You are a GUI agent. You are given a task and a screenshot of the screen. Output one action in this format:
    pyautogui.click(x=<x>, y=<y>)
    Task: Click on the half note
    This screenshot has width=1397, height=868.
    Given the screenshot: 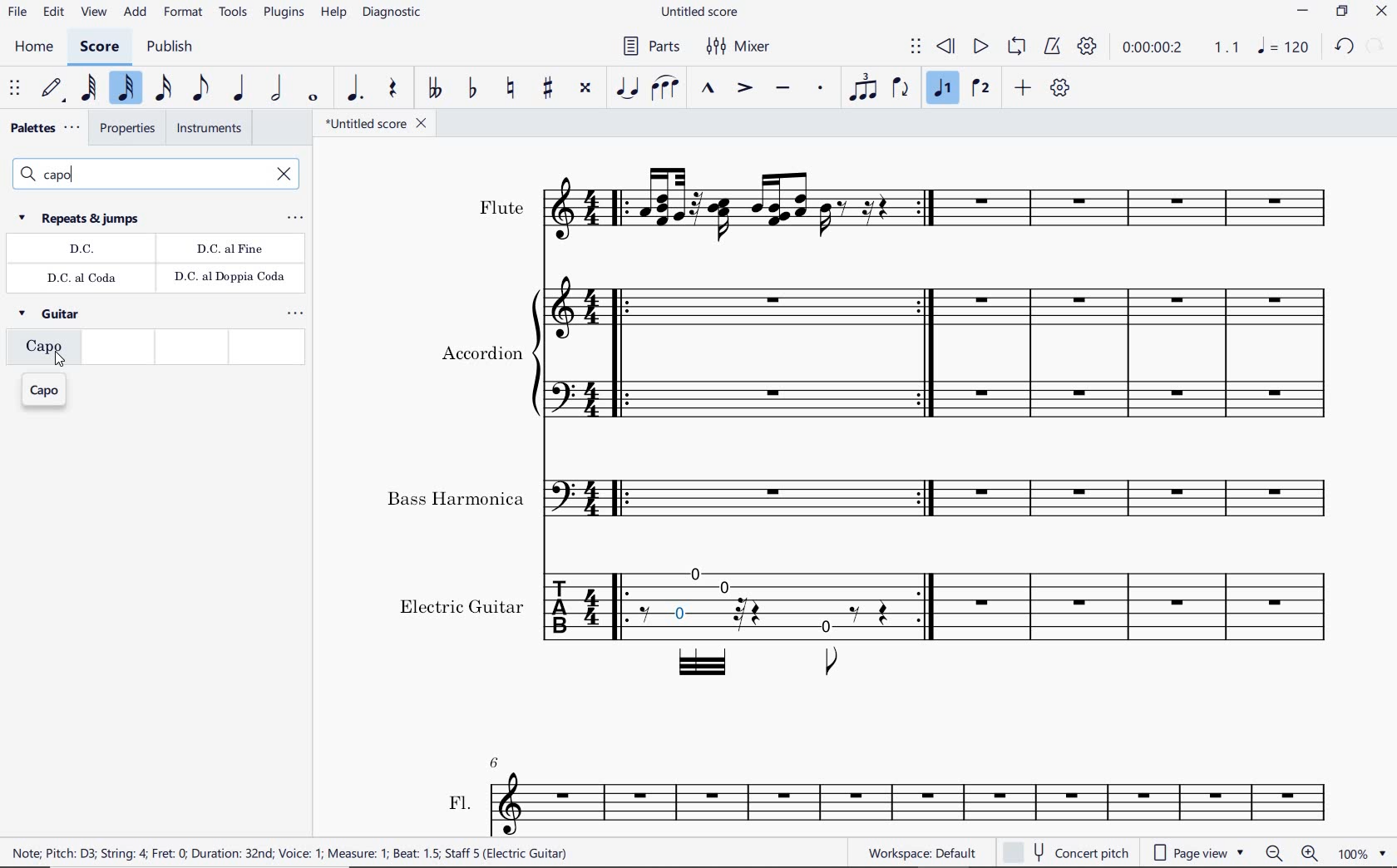 What is the action you would take?
    pyautogui.click(x=274, y=88)
    